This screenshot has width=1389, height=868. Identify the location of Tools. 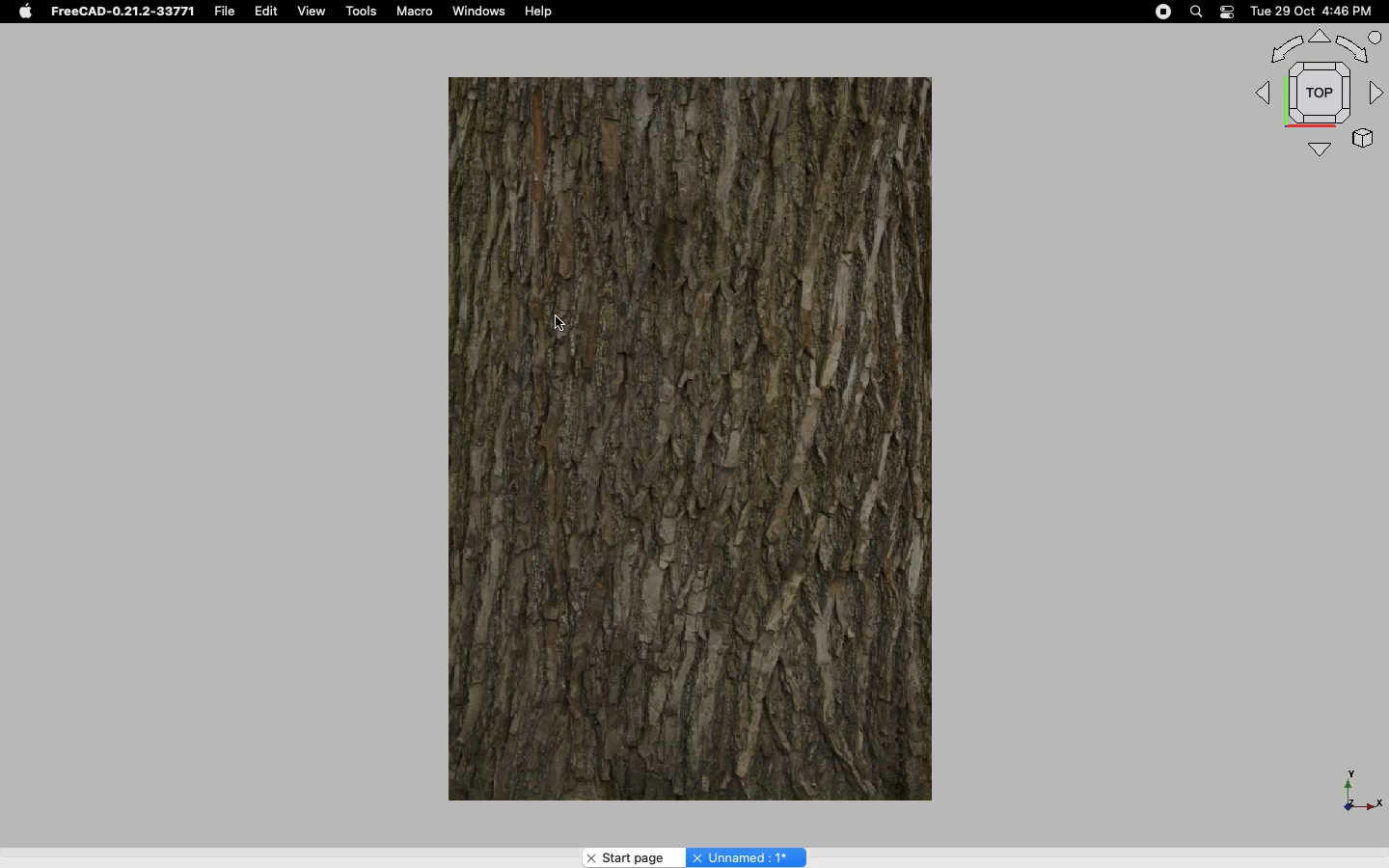
(364, 12).